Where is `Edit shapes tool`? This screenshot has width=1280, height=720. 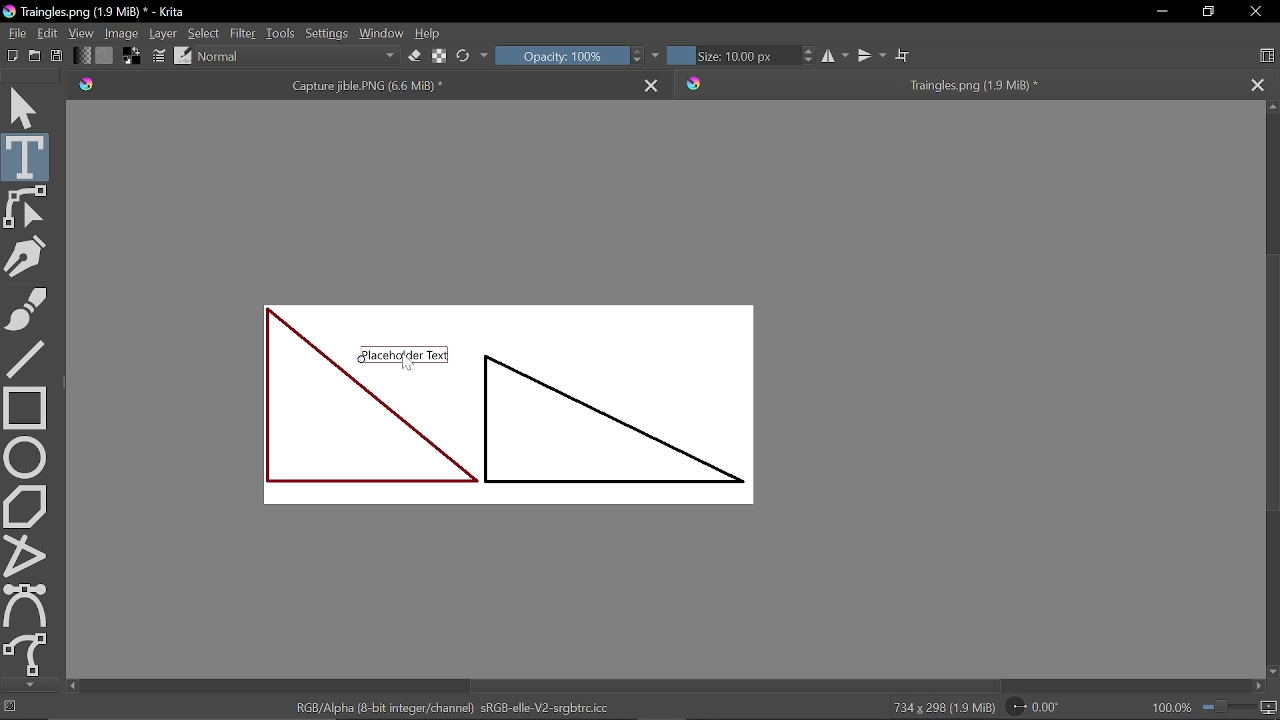
Edit shapes tool is located at coordinates (29, 207).